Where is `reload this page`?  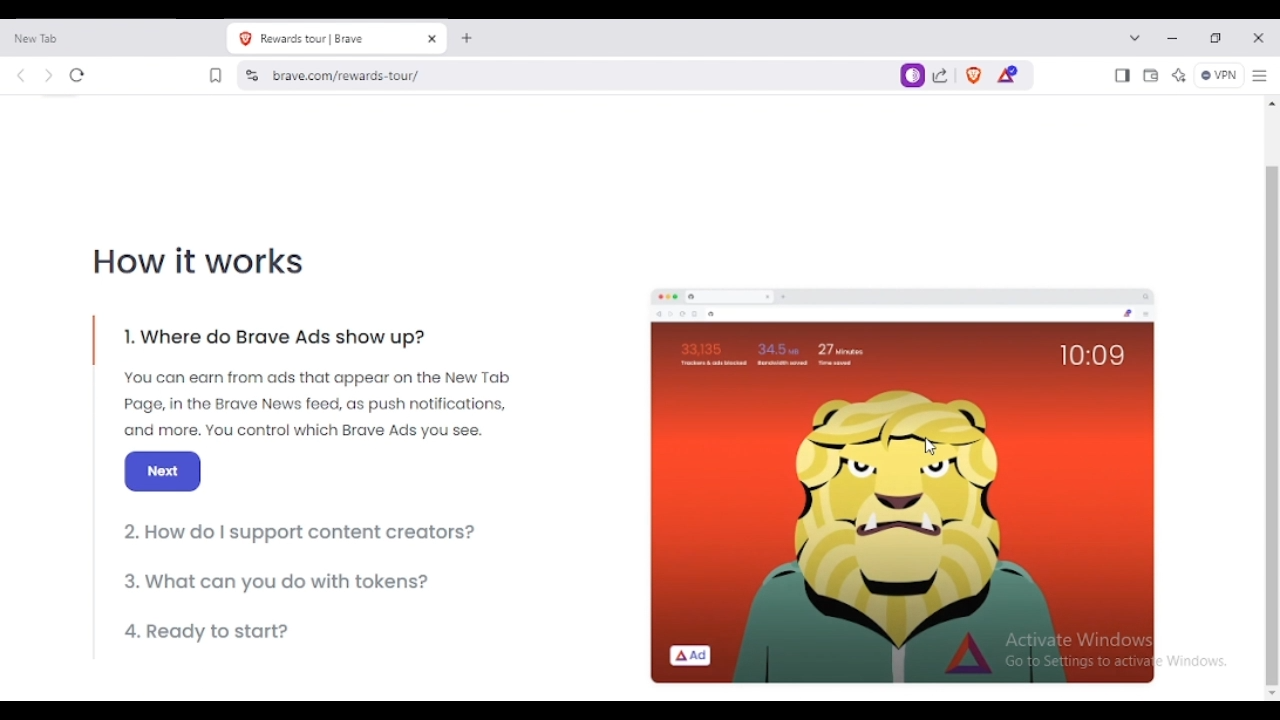 reload this page is located at coordinates (78, 75).